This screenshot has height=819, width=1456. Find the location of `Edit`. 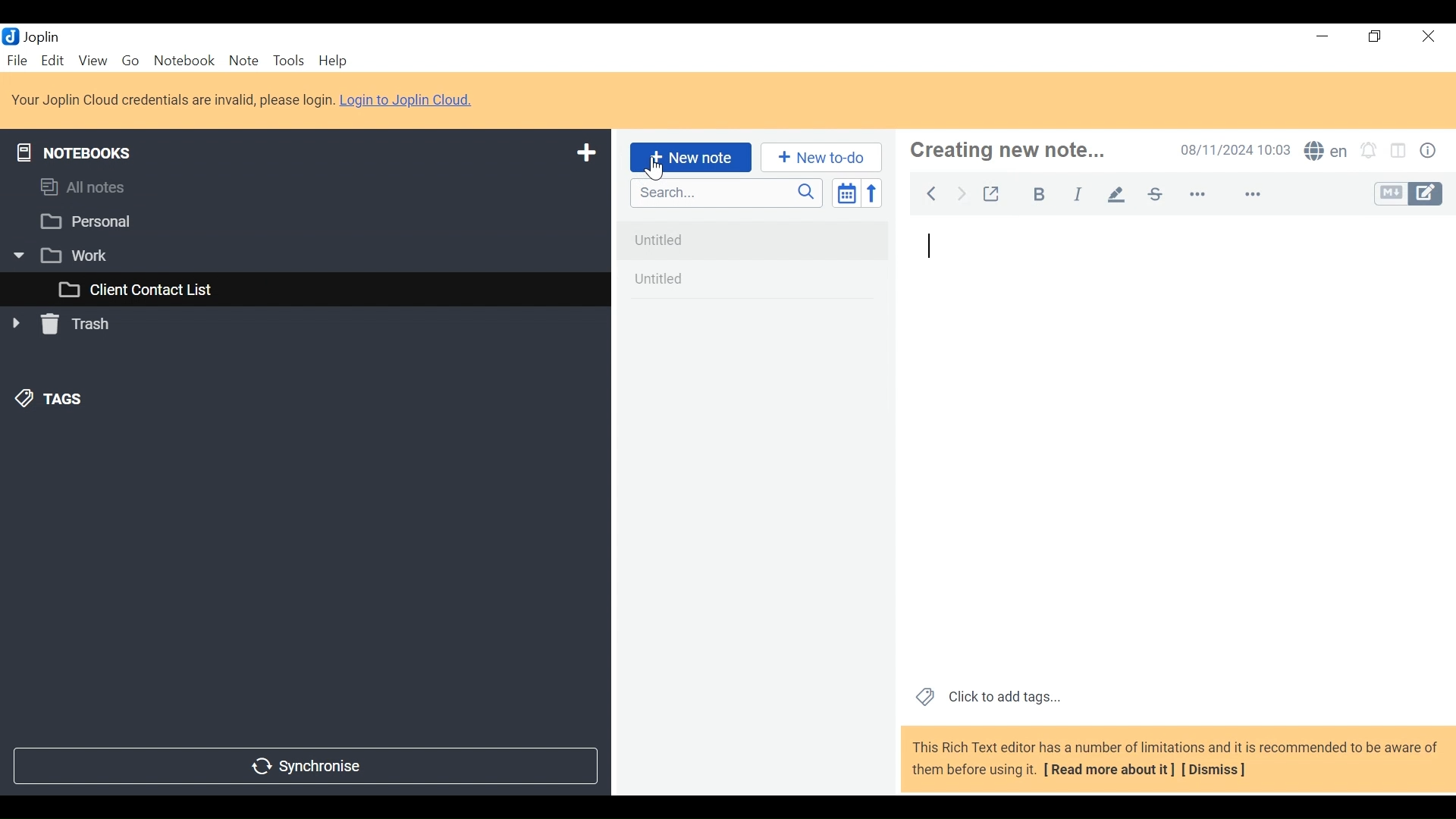

Edit is located at coordinates (54, 60).